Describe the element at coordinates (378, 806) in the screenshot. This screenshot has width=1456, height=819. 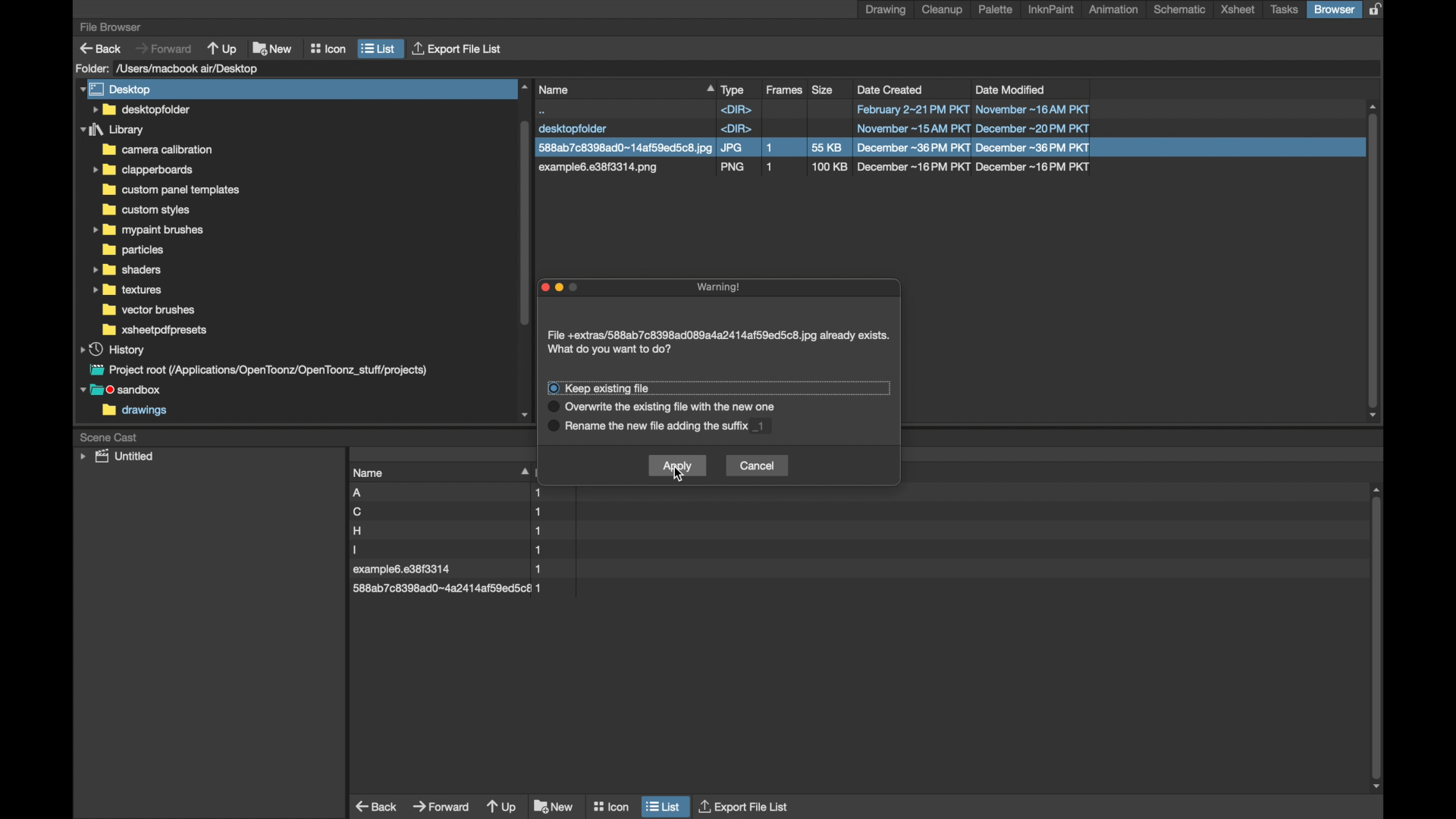
I see `back` at that location.